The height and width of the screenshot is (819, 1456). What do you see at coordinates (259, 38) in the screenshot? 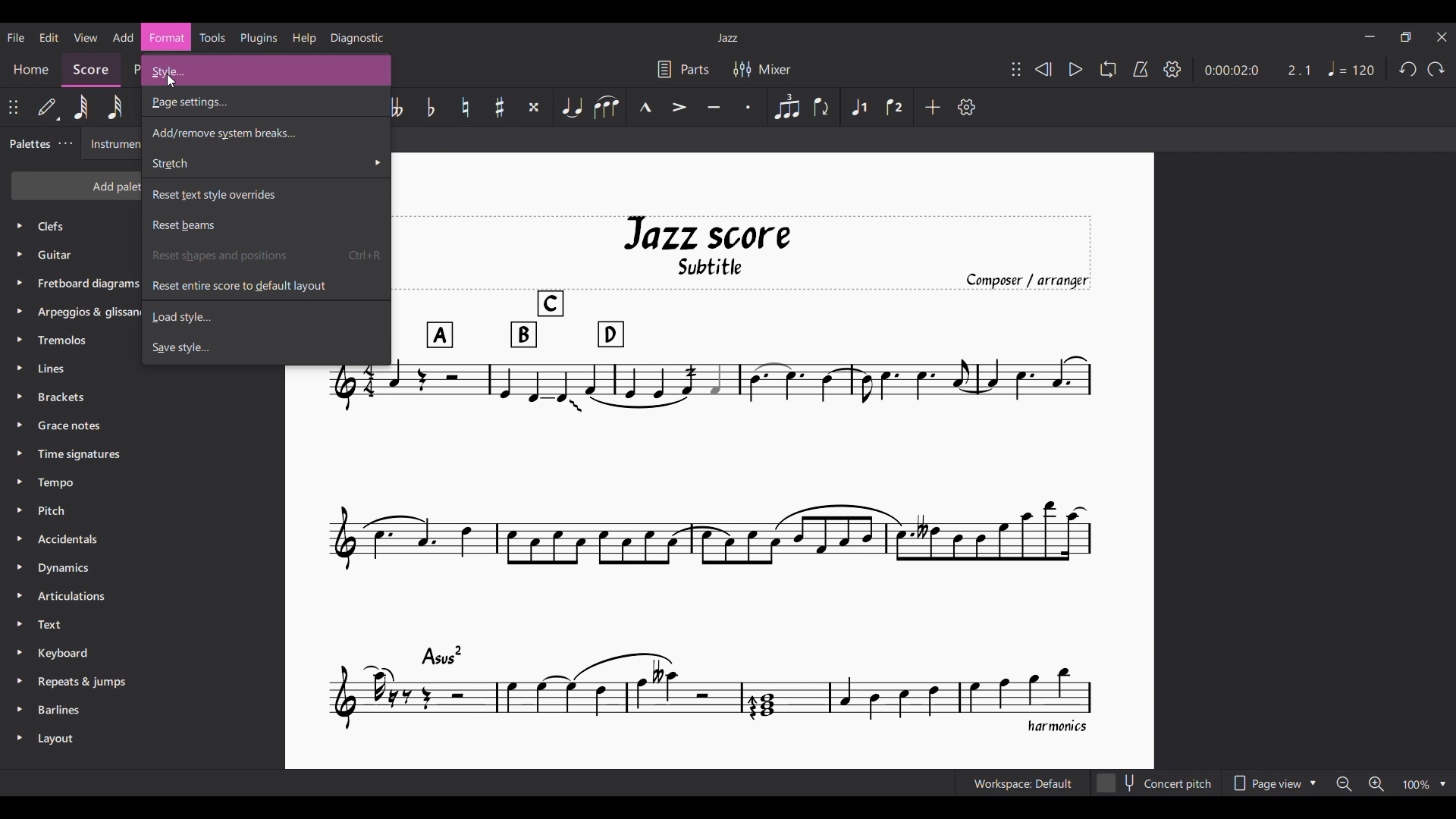
I see `Plugins menu` at bounding box center [259, 38].